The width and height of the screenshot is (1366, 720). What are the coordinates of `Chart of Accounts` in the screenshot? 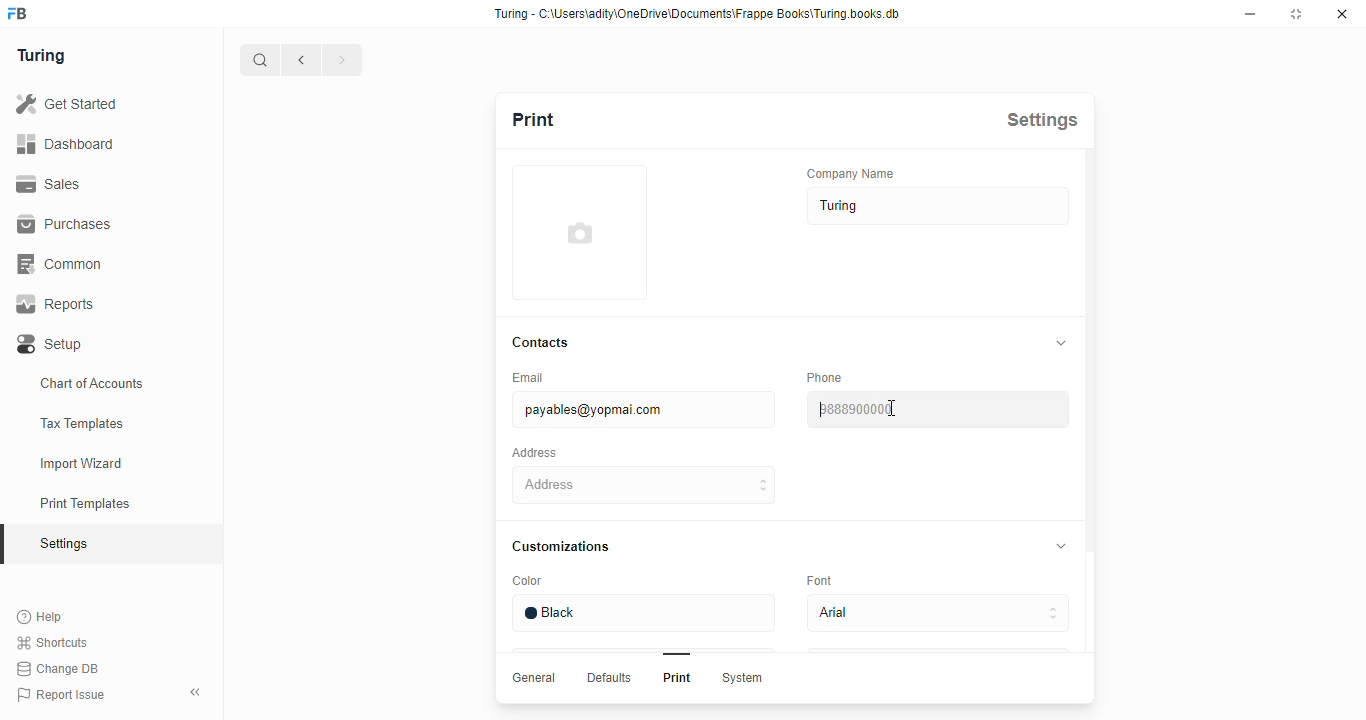 It's located at (100, 382).